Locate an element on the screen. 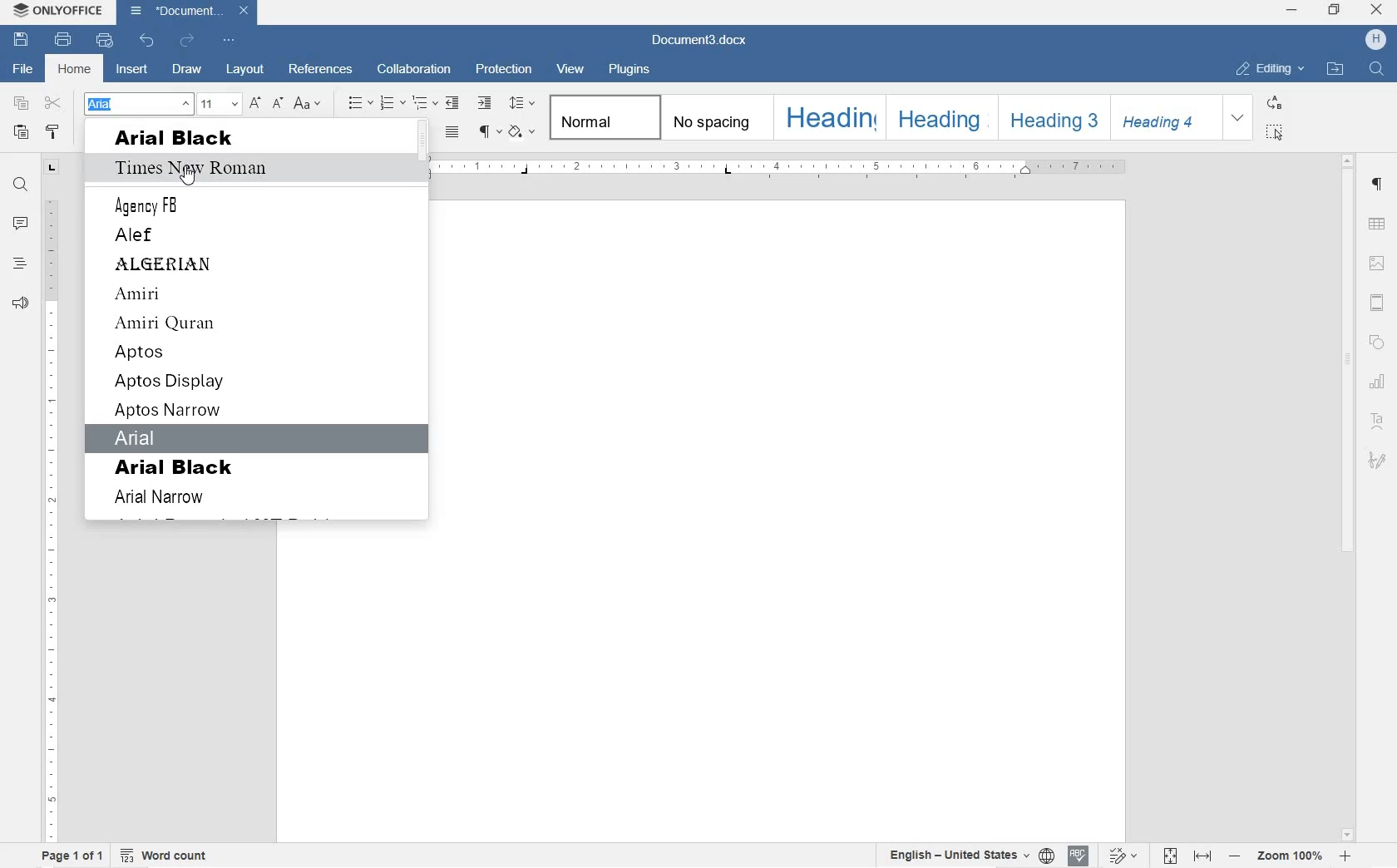 Image resolution: width=1397 pixels, height=868 pixels. NUMBERING is located at coordinates (390, 103).